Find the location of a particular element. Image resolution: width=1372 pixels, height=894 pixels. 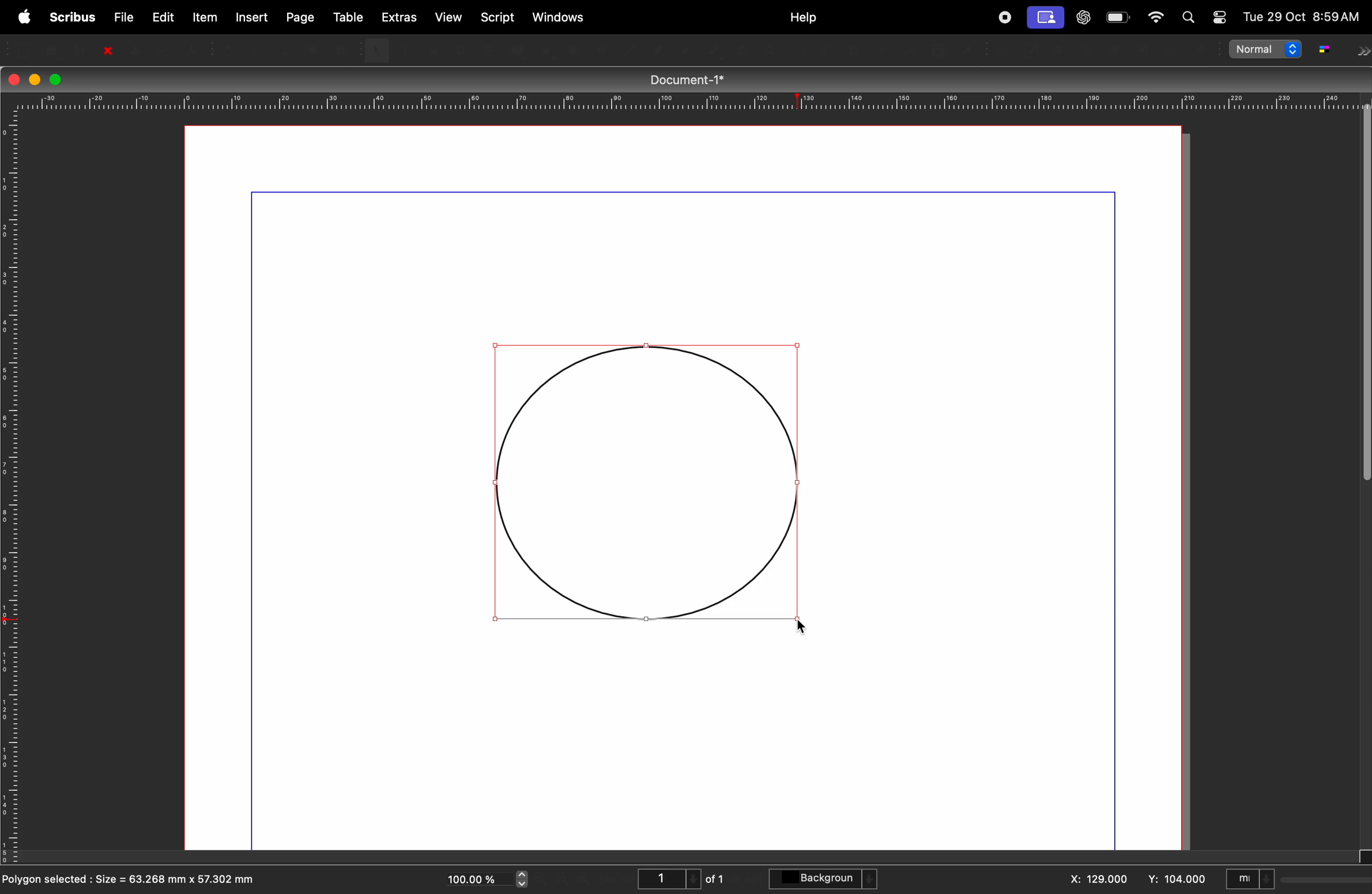

apple menu is located at coordinates (22, 16).